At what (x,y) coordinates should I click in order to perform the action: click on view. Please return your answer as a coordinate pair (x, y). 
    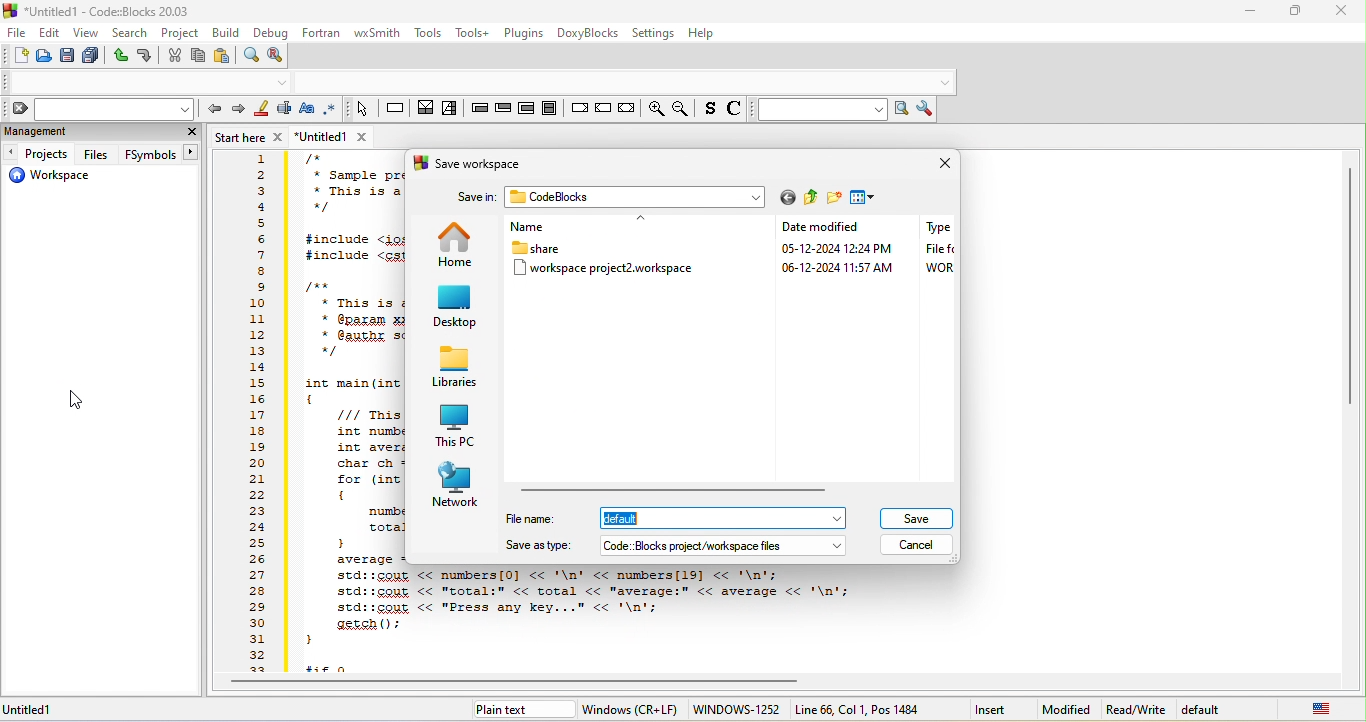
    Looking at the image, I should click on (87, 34).